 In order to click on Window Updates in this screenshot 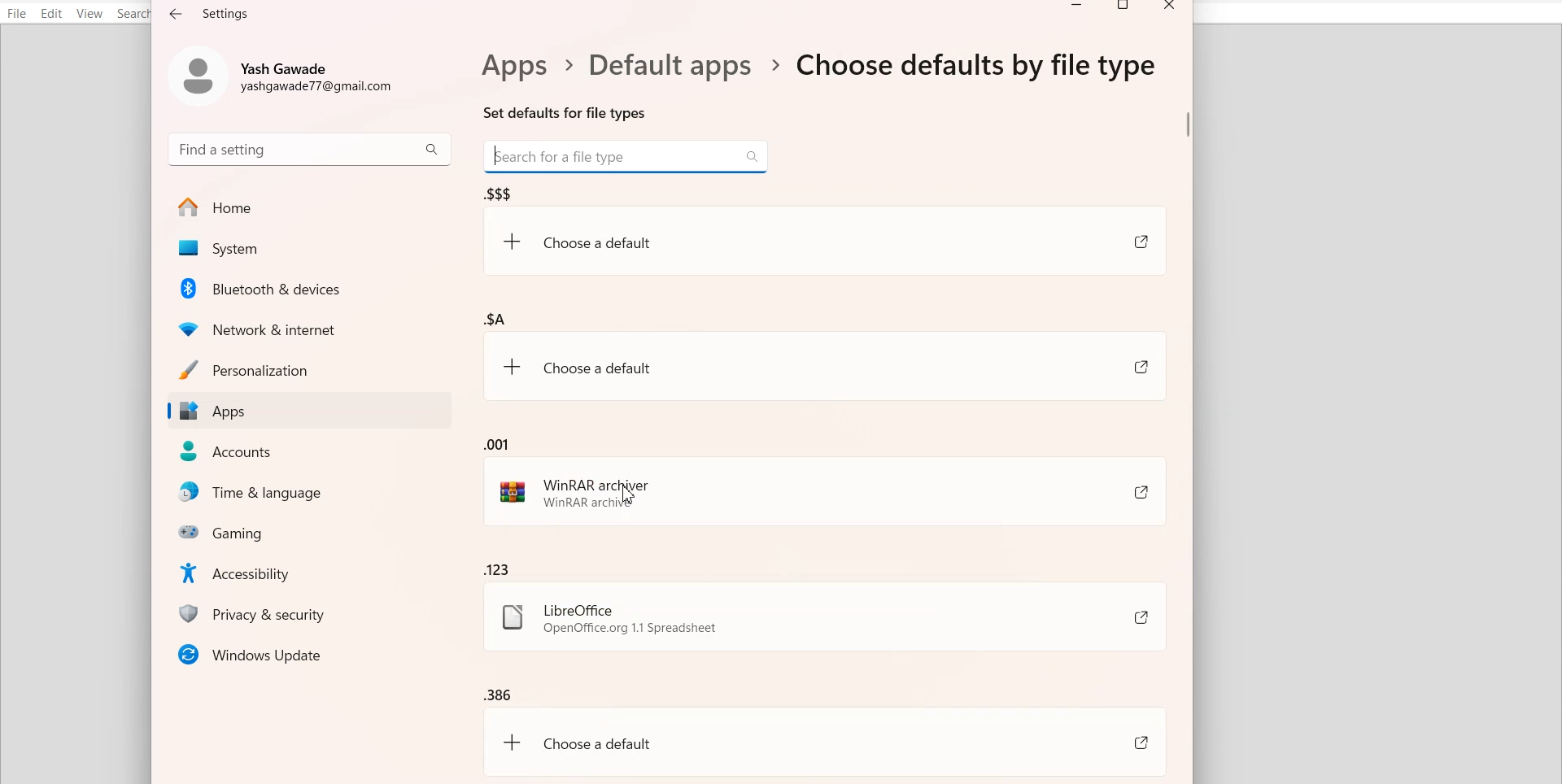, I will do `click(308, 654)`.